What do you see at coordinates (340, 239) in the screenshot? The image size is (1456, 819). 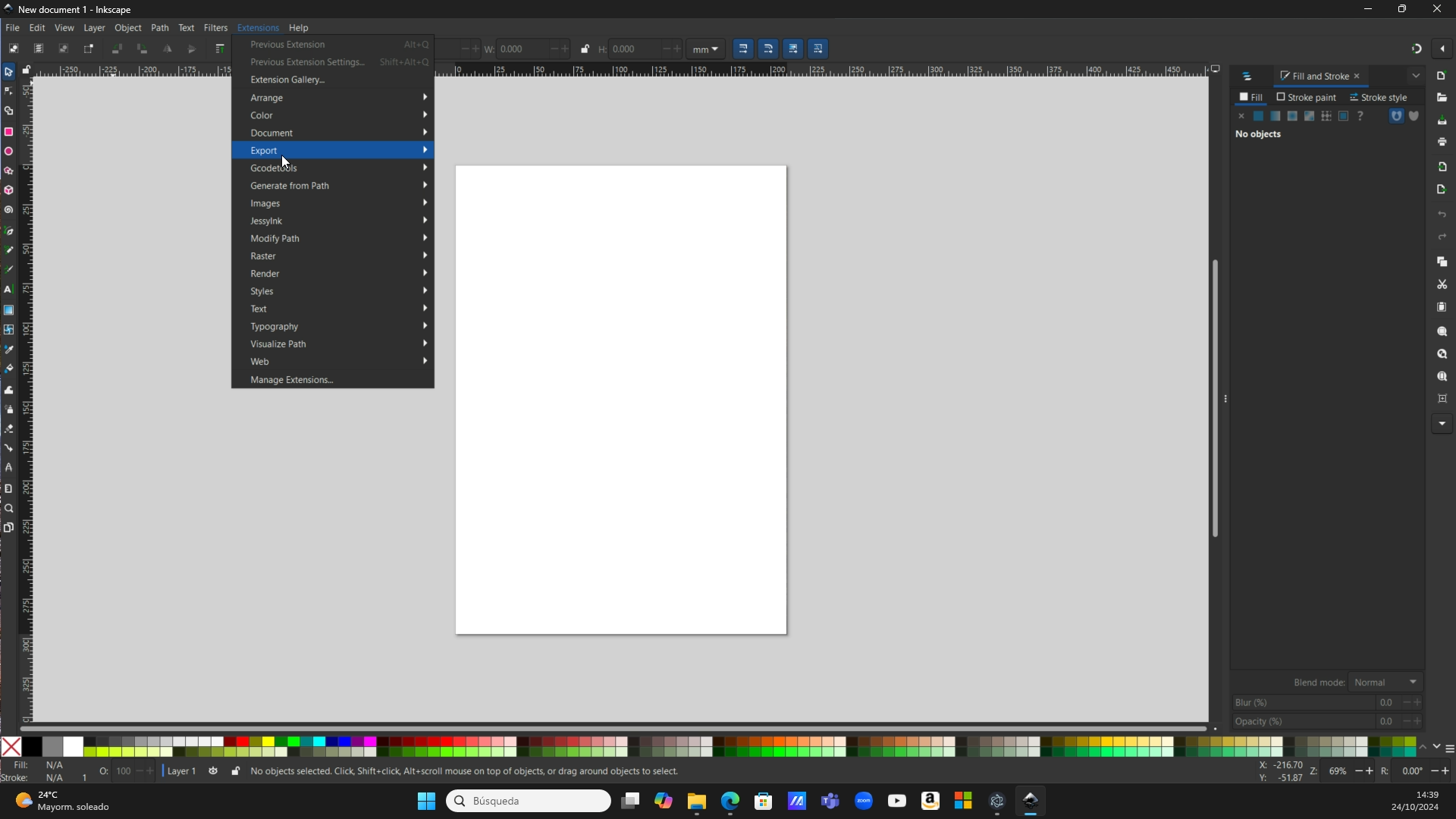 I see `Modify Path` at bounding box center [340, 239].